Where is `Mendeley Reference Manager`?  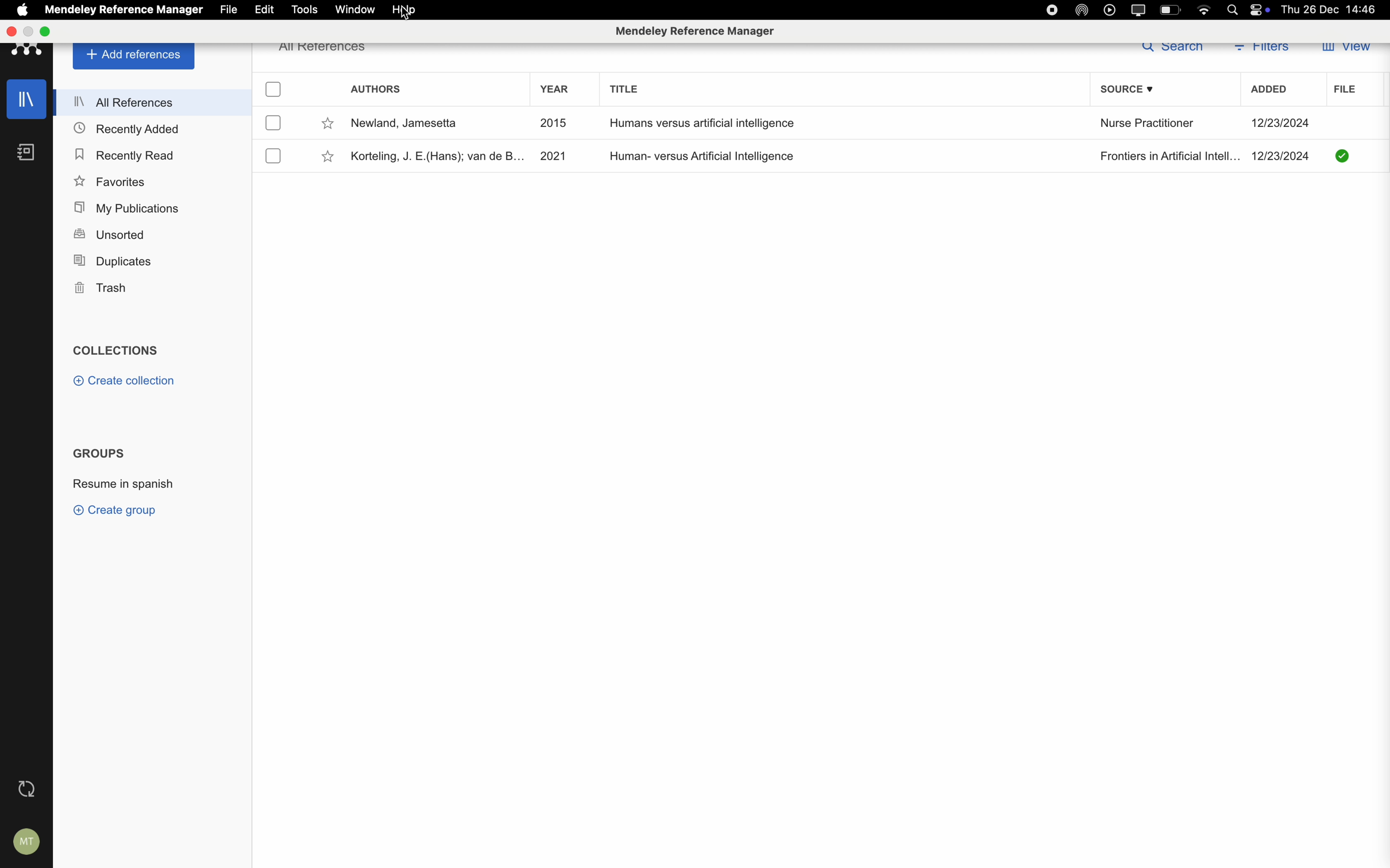 Mendeley Reference Manager is located at coordinates (126, 10).